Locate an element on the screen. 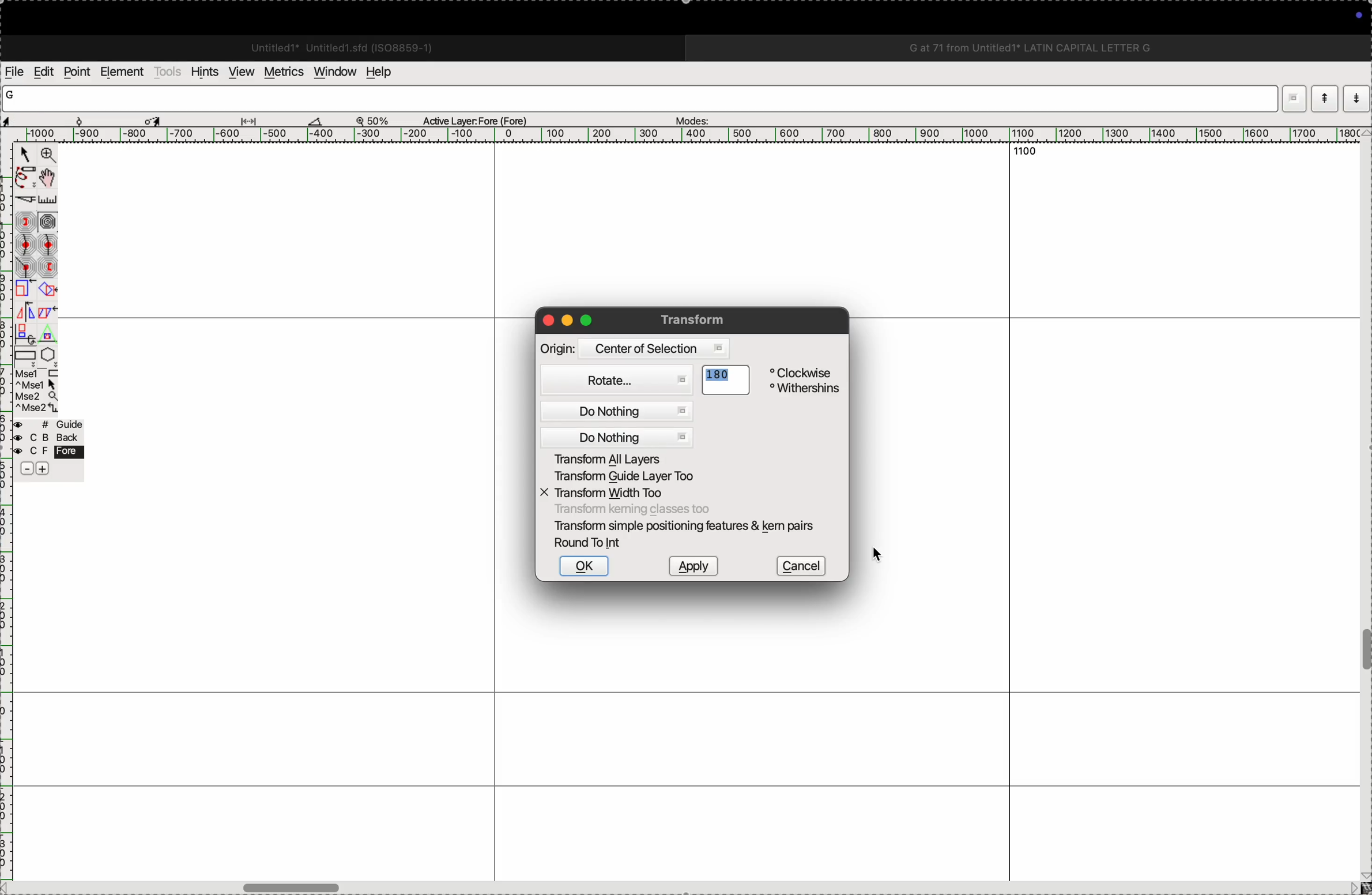  skew is located at coordinates (47, 313).